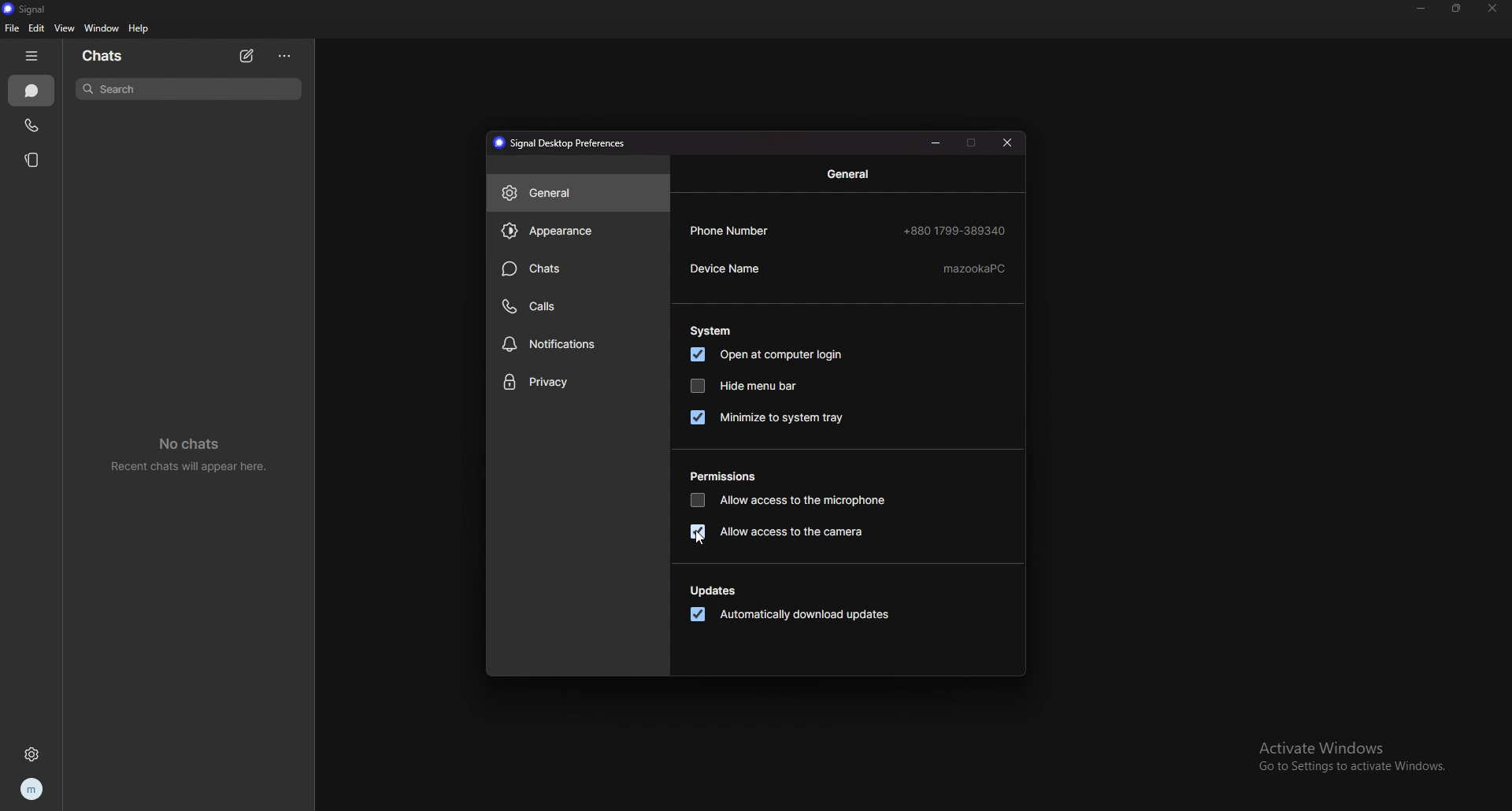 This screenshot has width=1512, height=811. What do you see at coordinates (1455, 8) in the screenshot?
I see `resize` at bounding box center [1455, 8].